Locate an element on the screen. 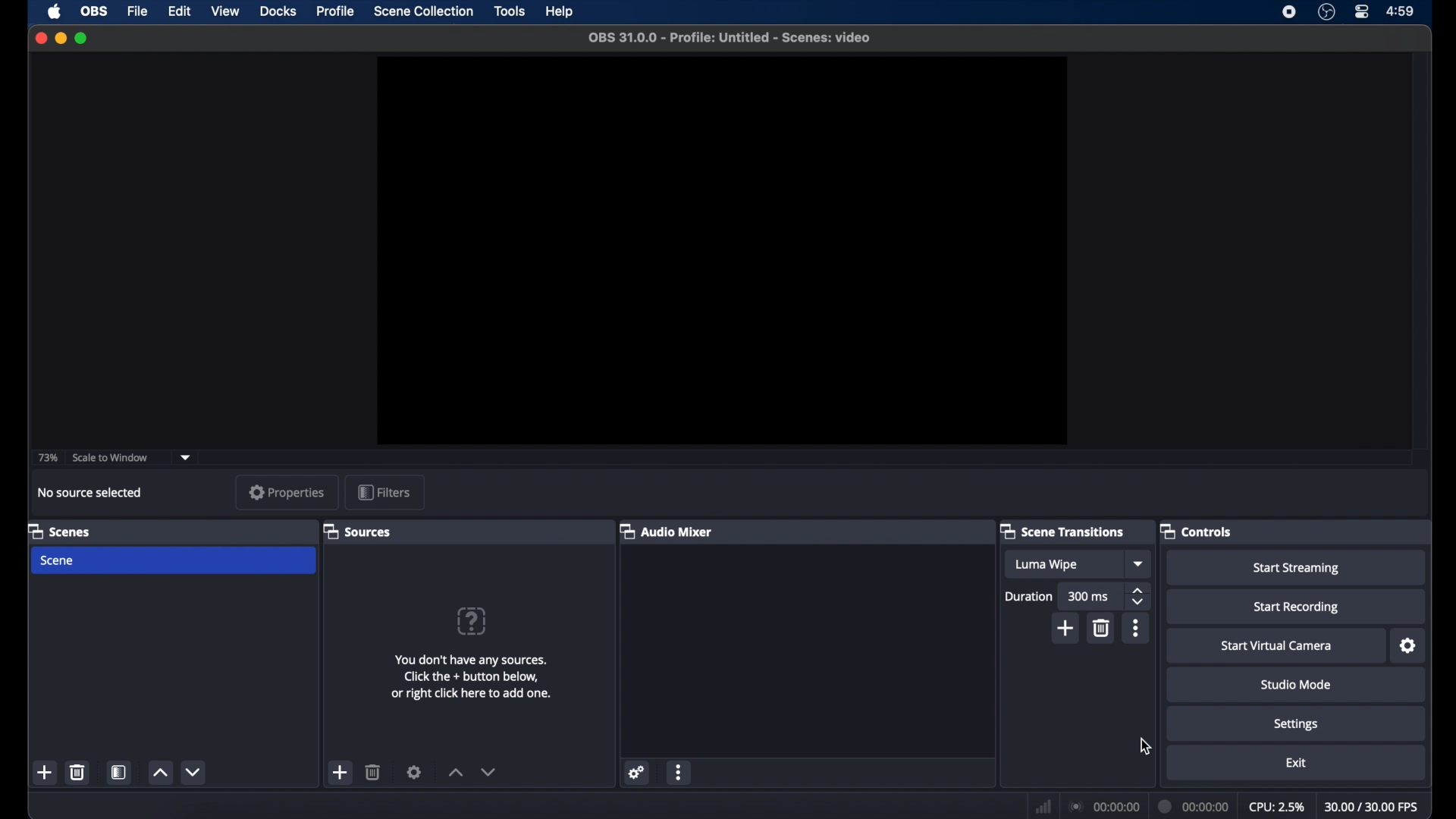 The image size is (1456, 819). delete is located at coordinates (78, 772).